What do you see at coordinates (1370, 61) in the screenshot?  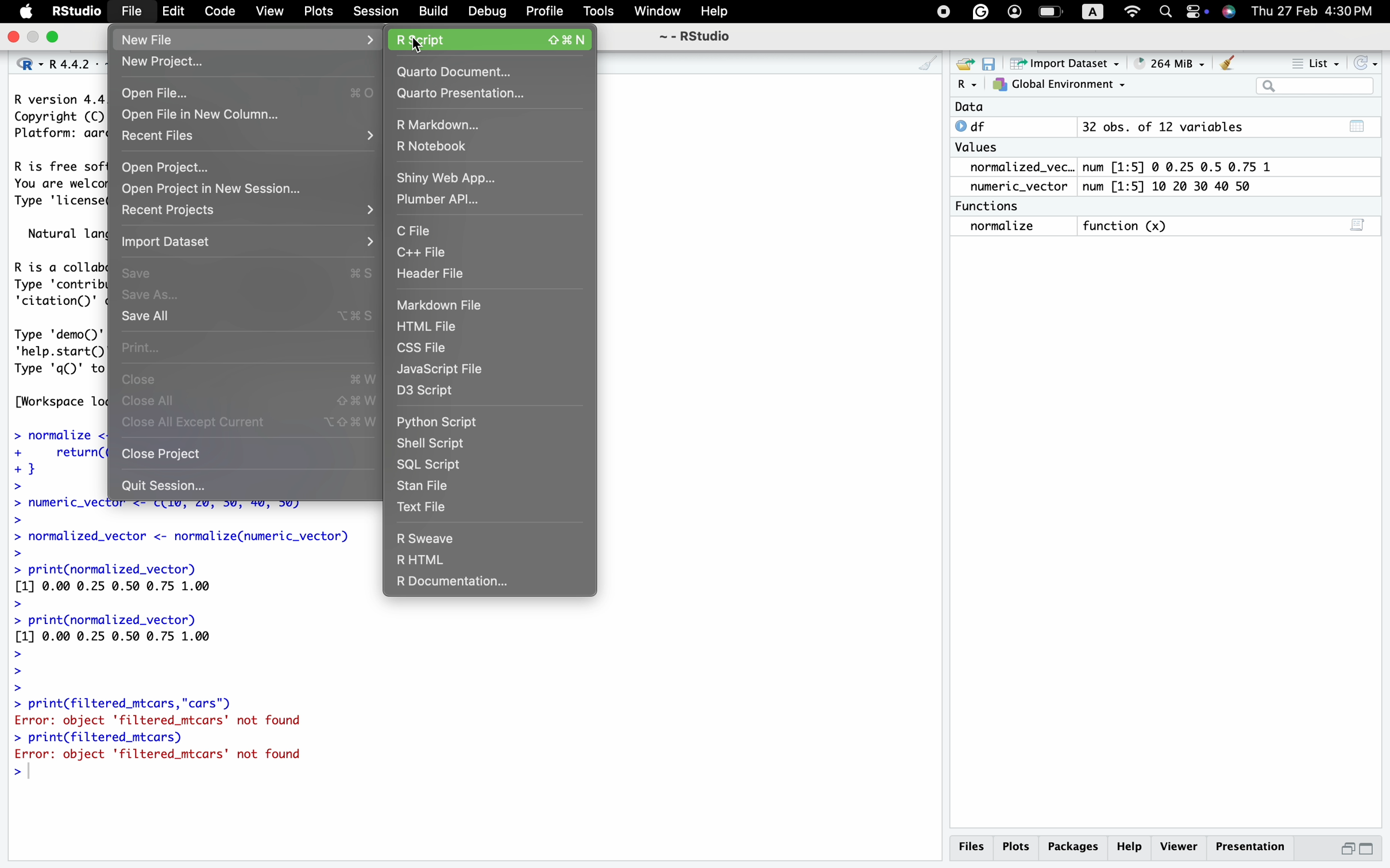 I see `refresh the list of objects` at bounding box center [1370, 61].